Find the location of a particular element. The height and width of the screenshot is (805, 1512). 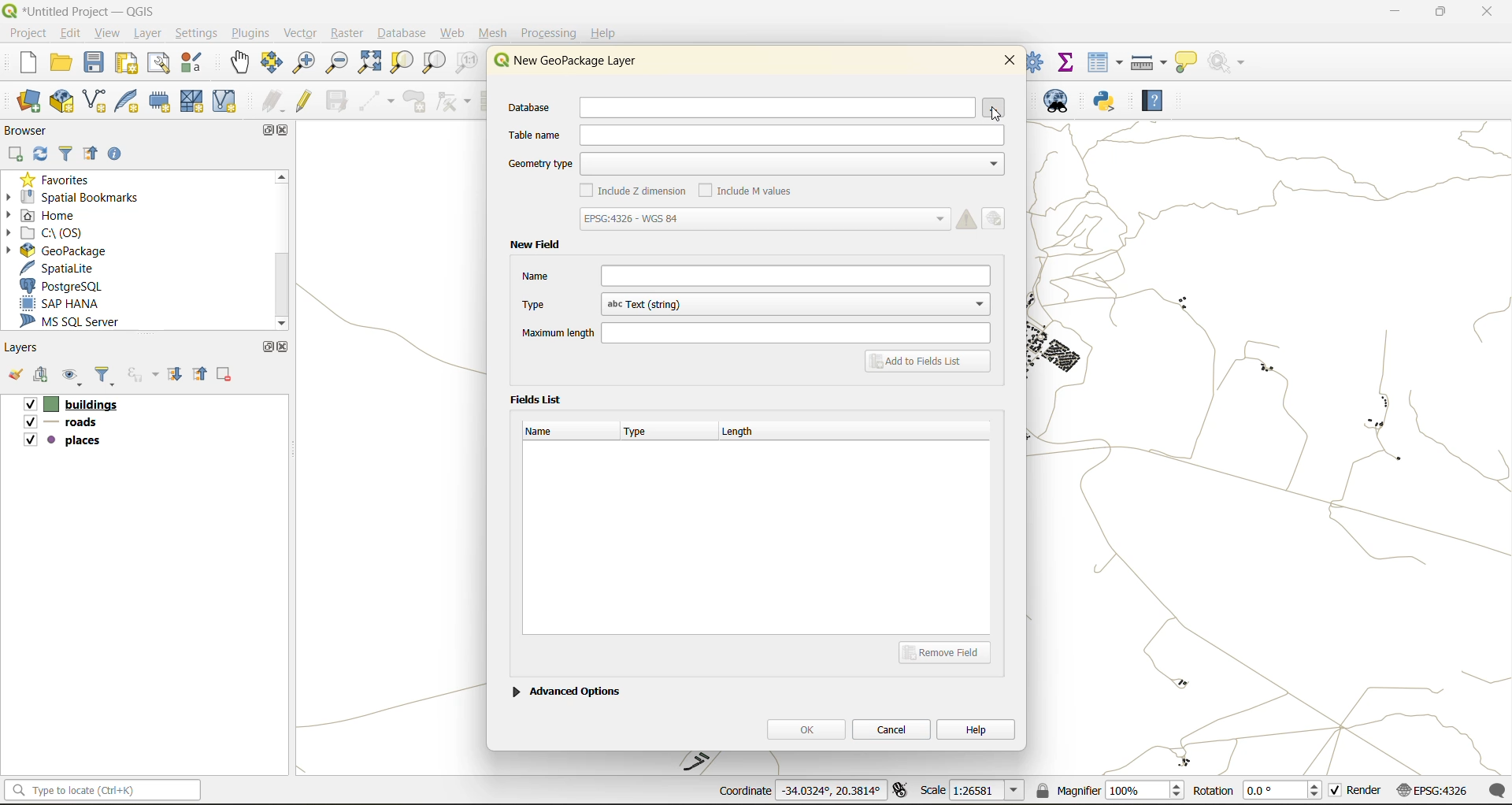

metasearch is located at coordinates (1063, 104).